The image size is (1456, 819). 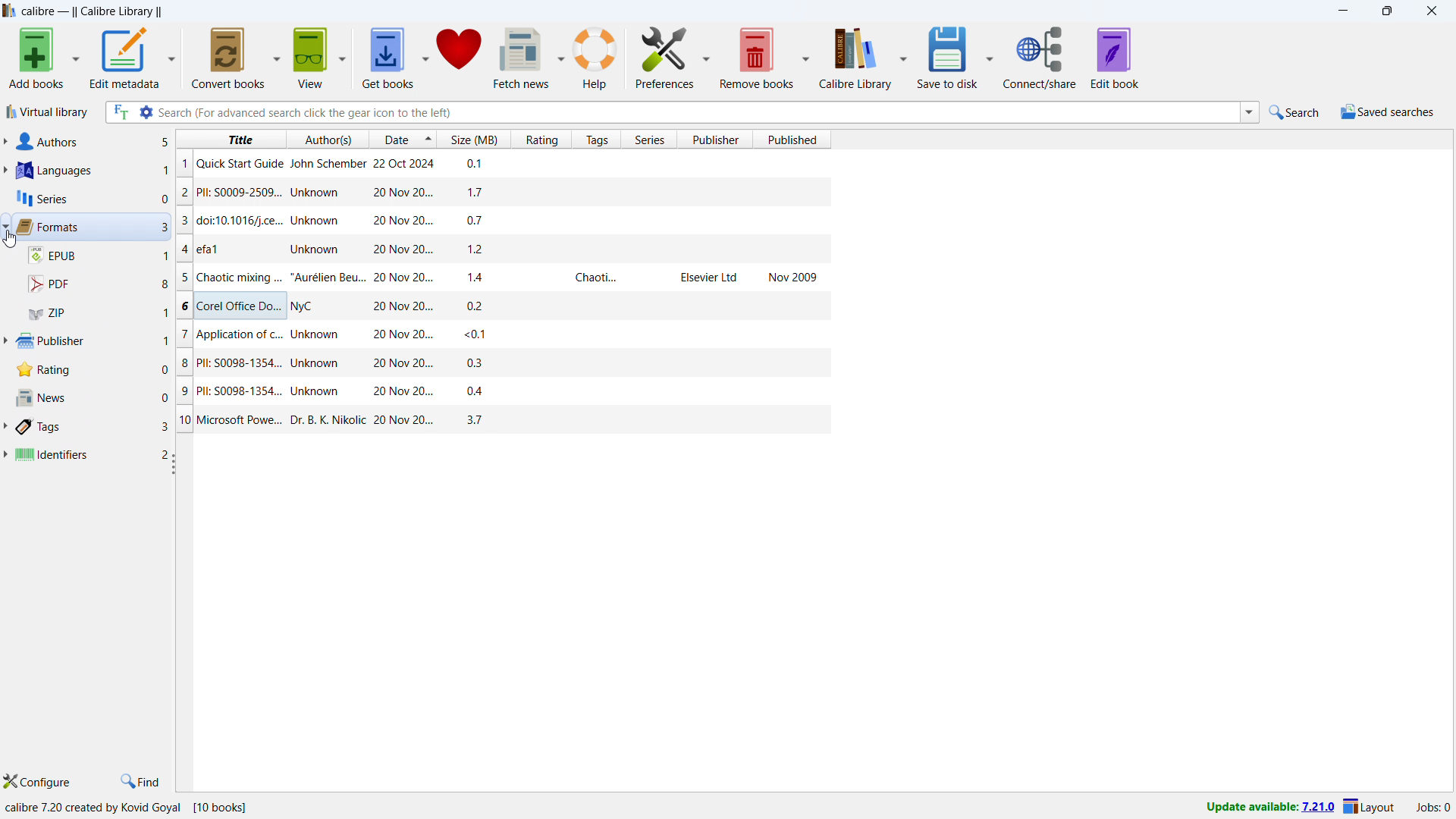 What do you see at coordinates (91, 227) in the screenshot?
I see `formats` at bounding box center [91, 227].